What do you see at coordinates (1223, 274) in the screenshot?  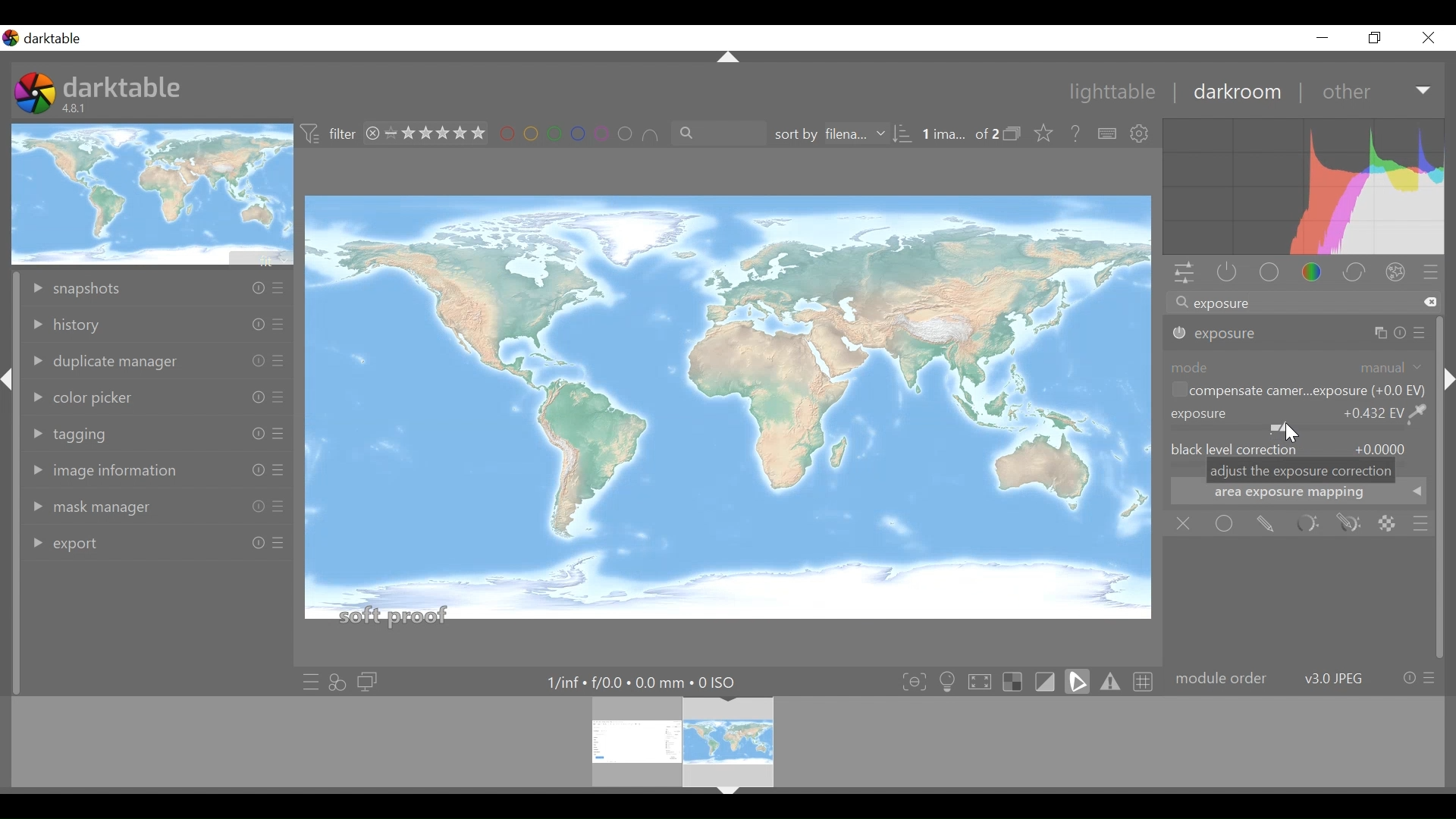 I see `show only active modules` at bounding box center [1223, 274].